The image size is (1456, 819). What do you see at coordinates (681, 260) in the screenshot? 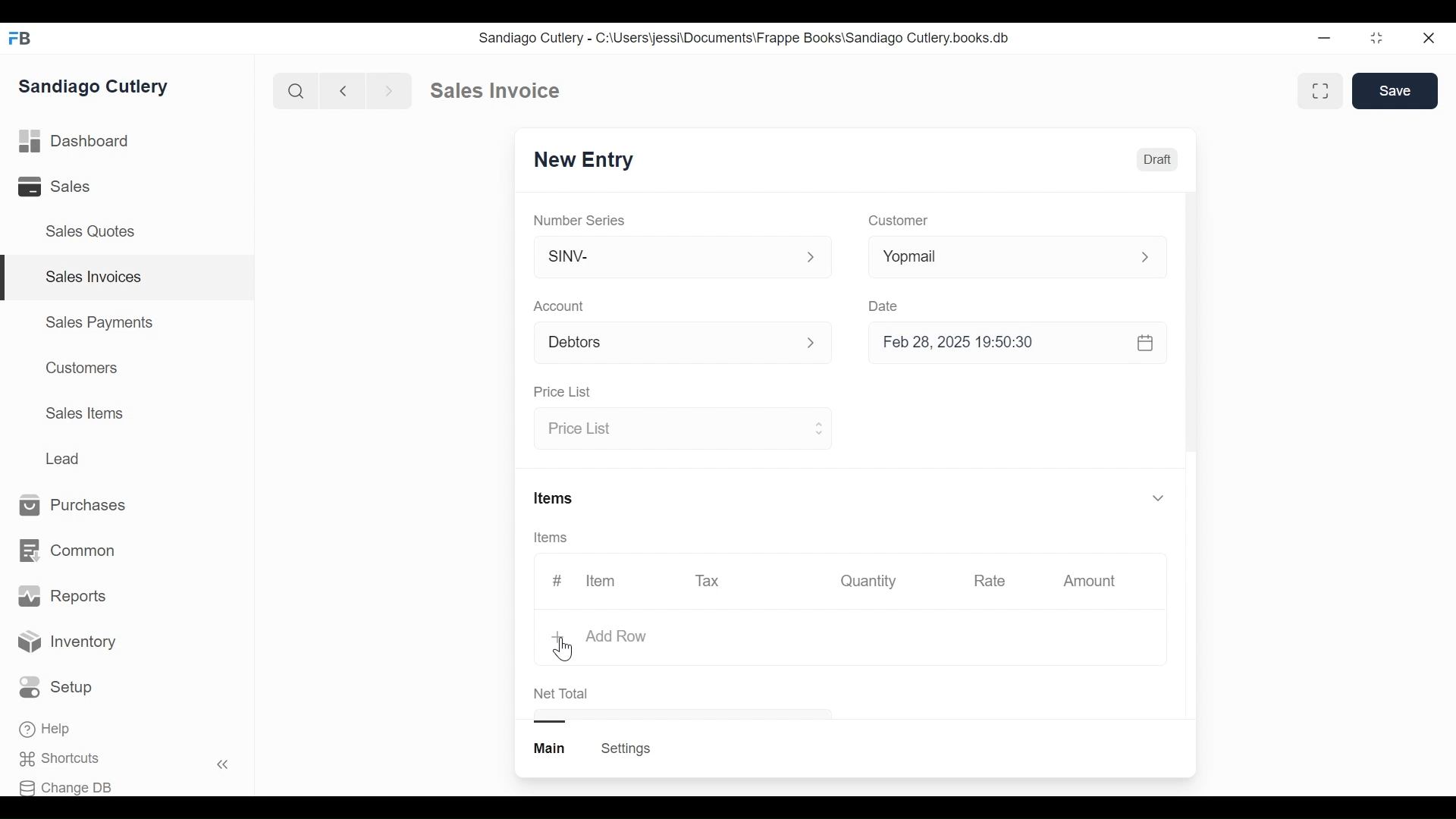
I see `SINV-` at bounding box center [681, 260].